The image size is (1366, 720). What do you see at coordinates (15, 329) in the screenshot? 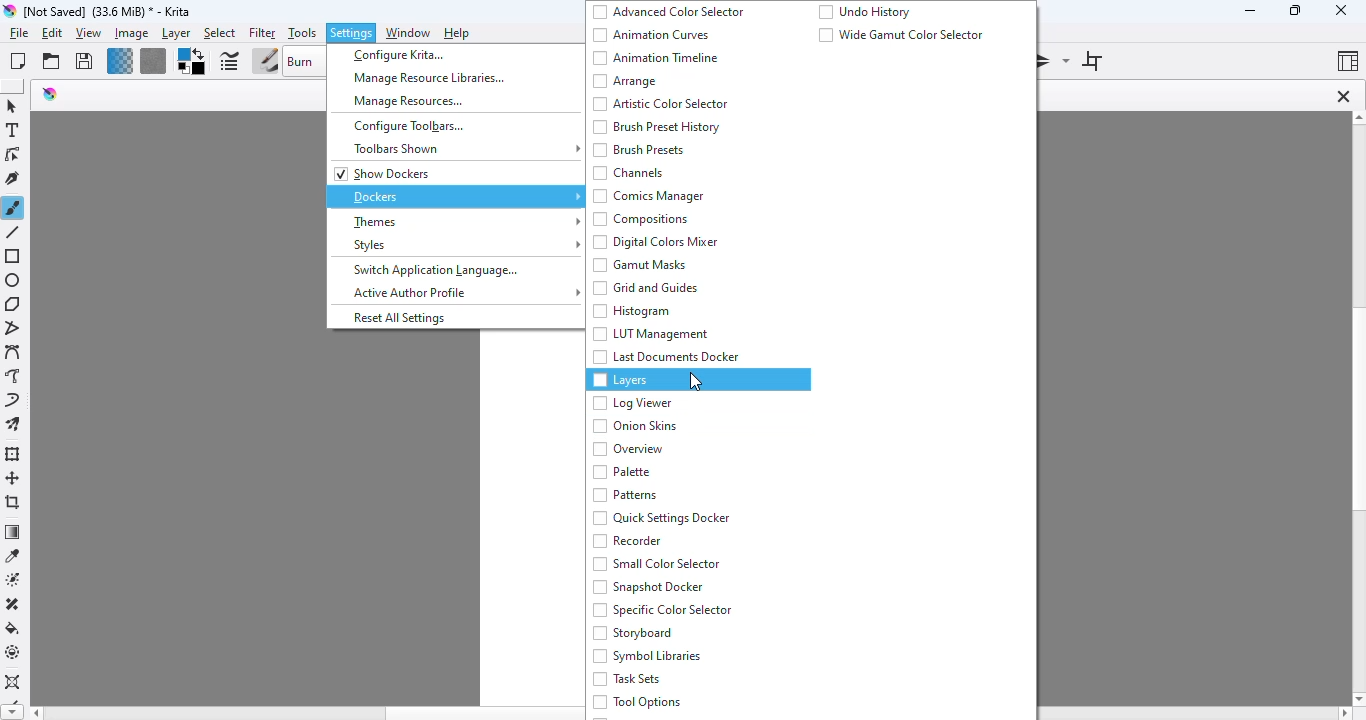
I see `polyline tool` at bounding box center [15, 329].